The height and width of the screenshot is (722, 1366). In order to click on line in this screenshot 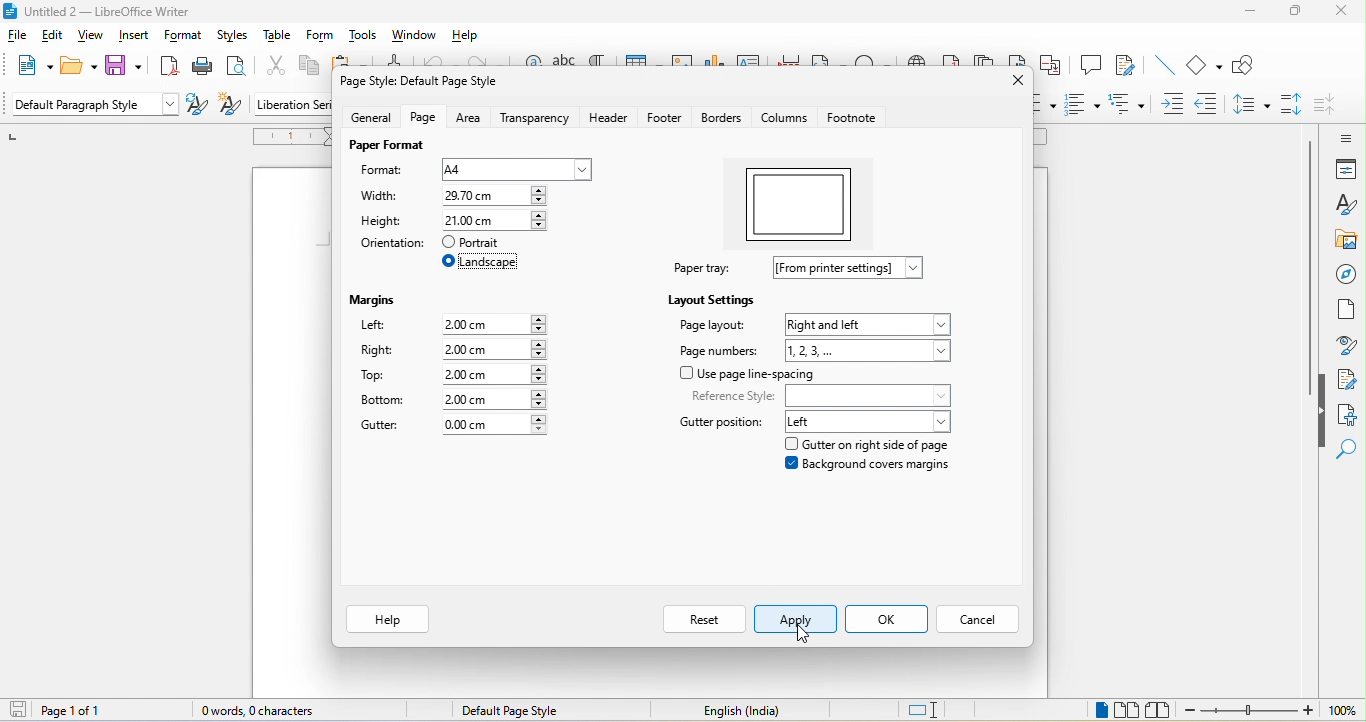, I will do `click(1165, 68)`.